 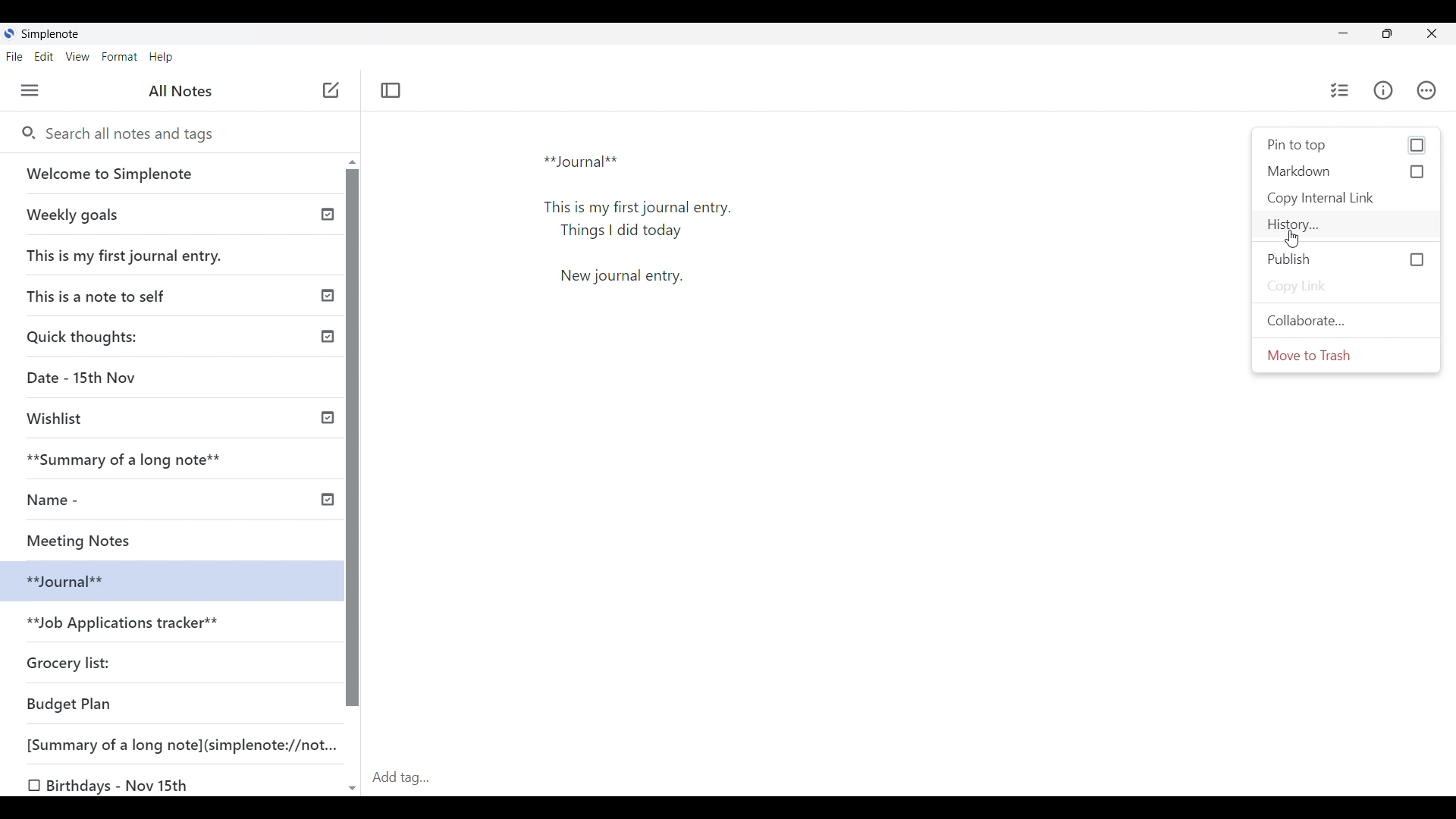 I want to click on selected note, so click(x=168, y=579).